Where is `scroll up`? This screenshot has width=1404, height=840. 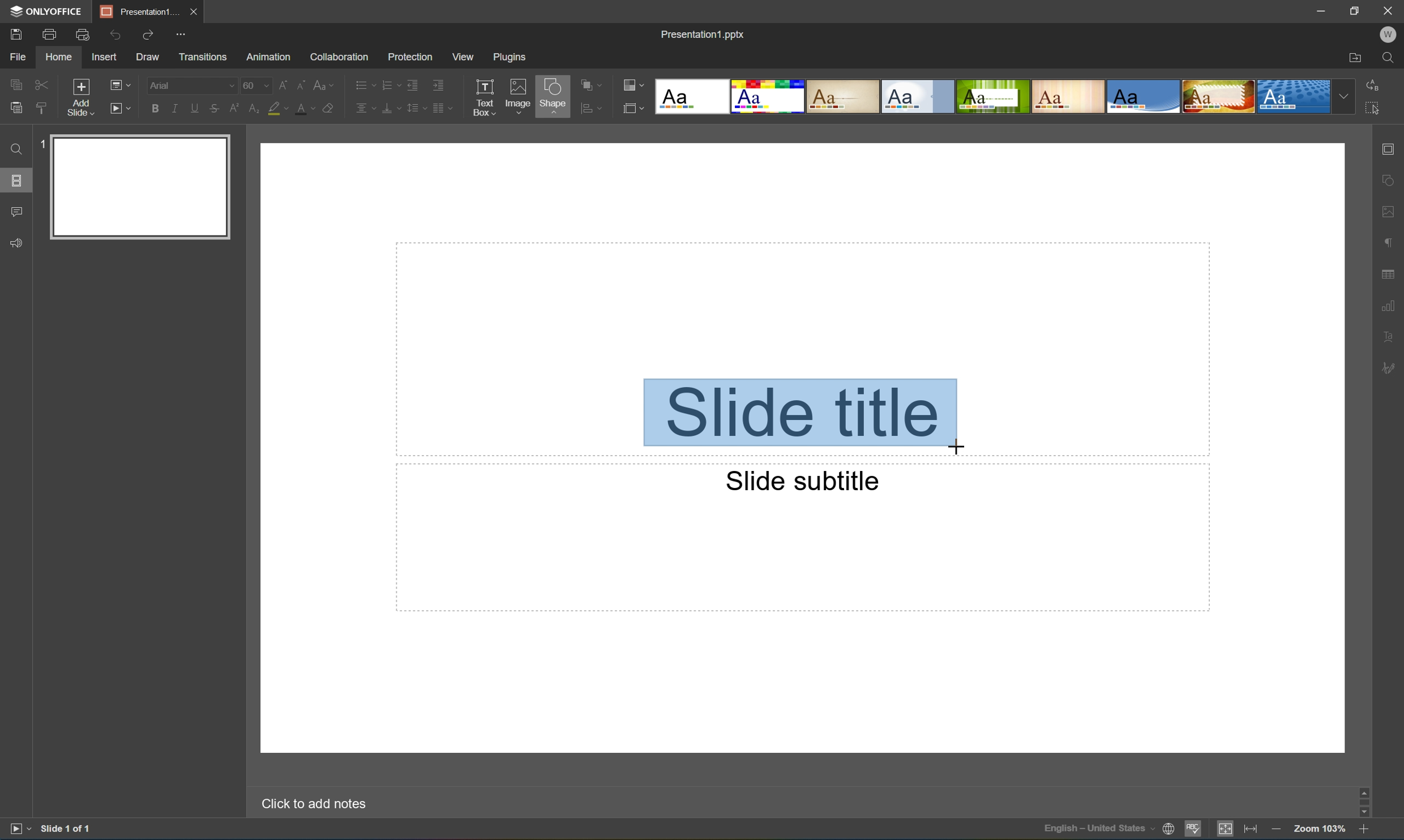 scroll up is located at coordinates (1362, 790).